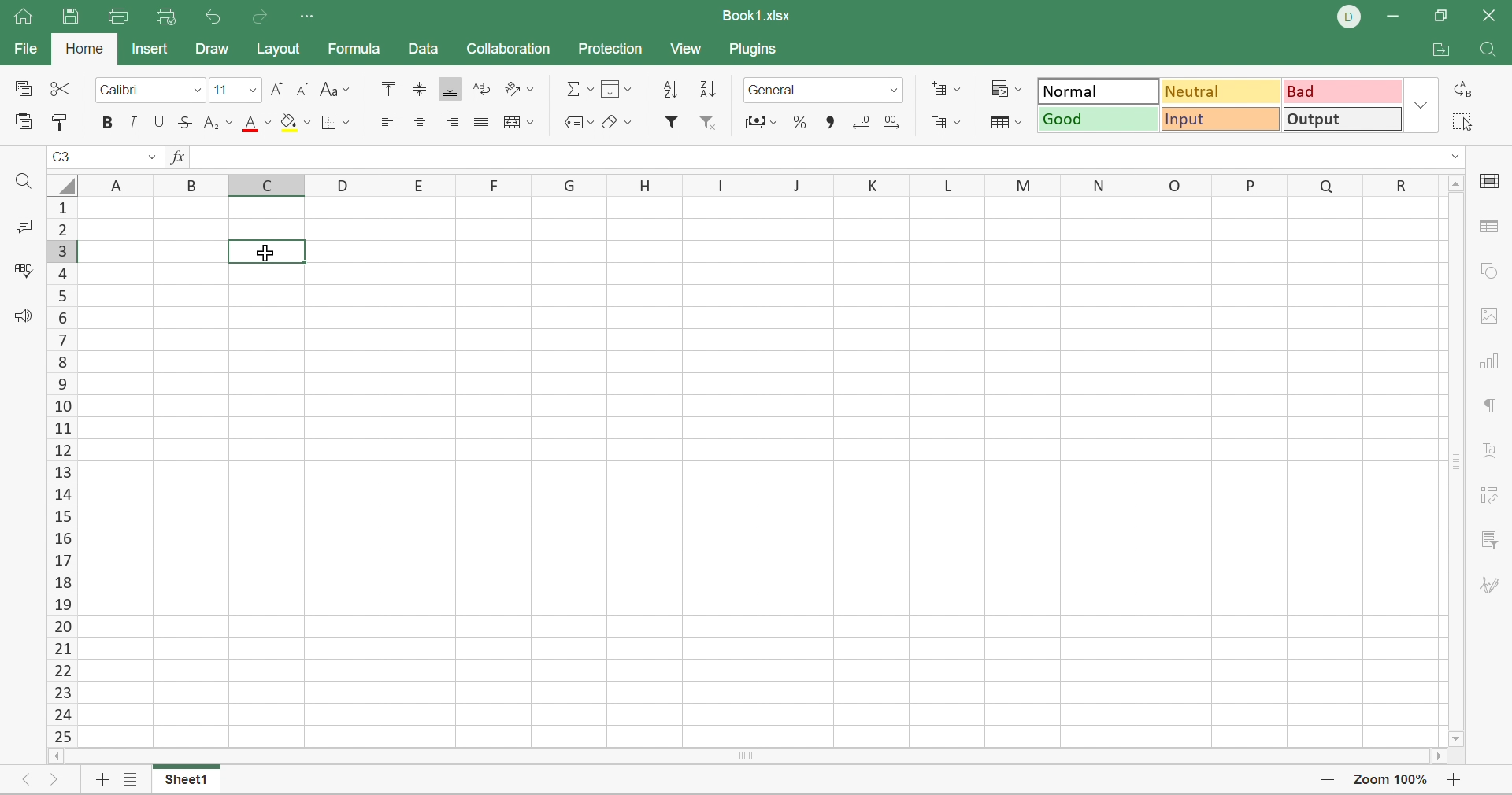 The height and width of the screenshot is (795, 1512). What do you see at coordinates (268, 250) in the screenshot?
I see `Selected cell` at bounding box center [268, 250].